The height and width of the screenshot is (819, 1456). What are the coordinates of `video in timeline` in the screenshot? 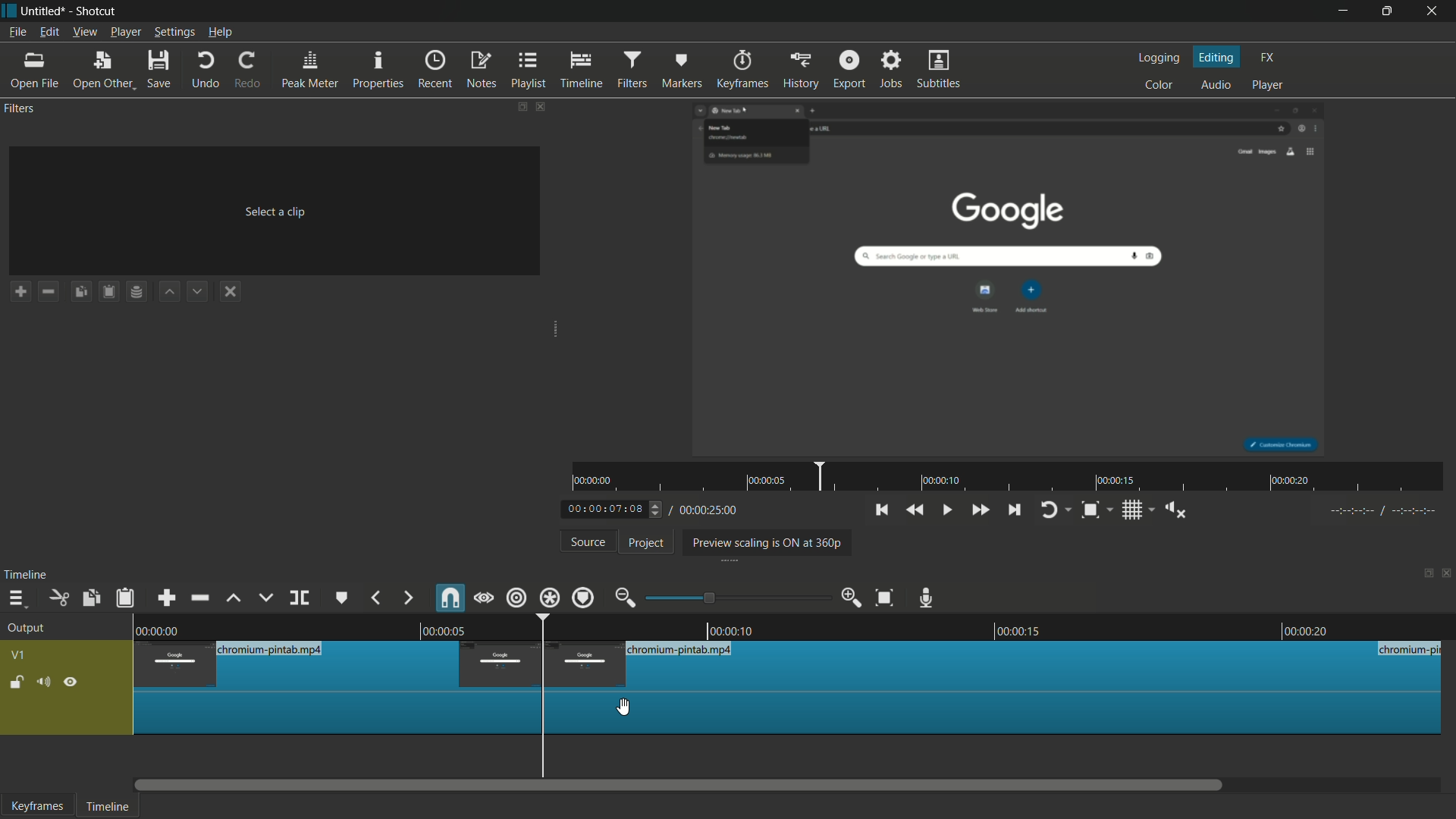 It's located at (788, 689).